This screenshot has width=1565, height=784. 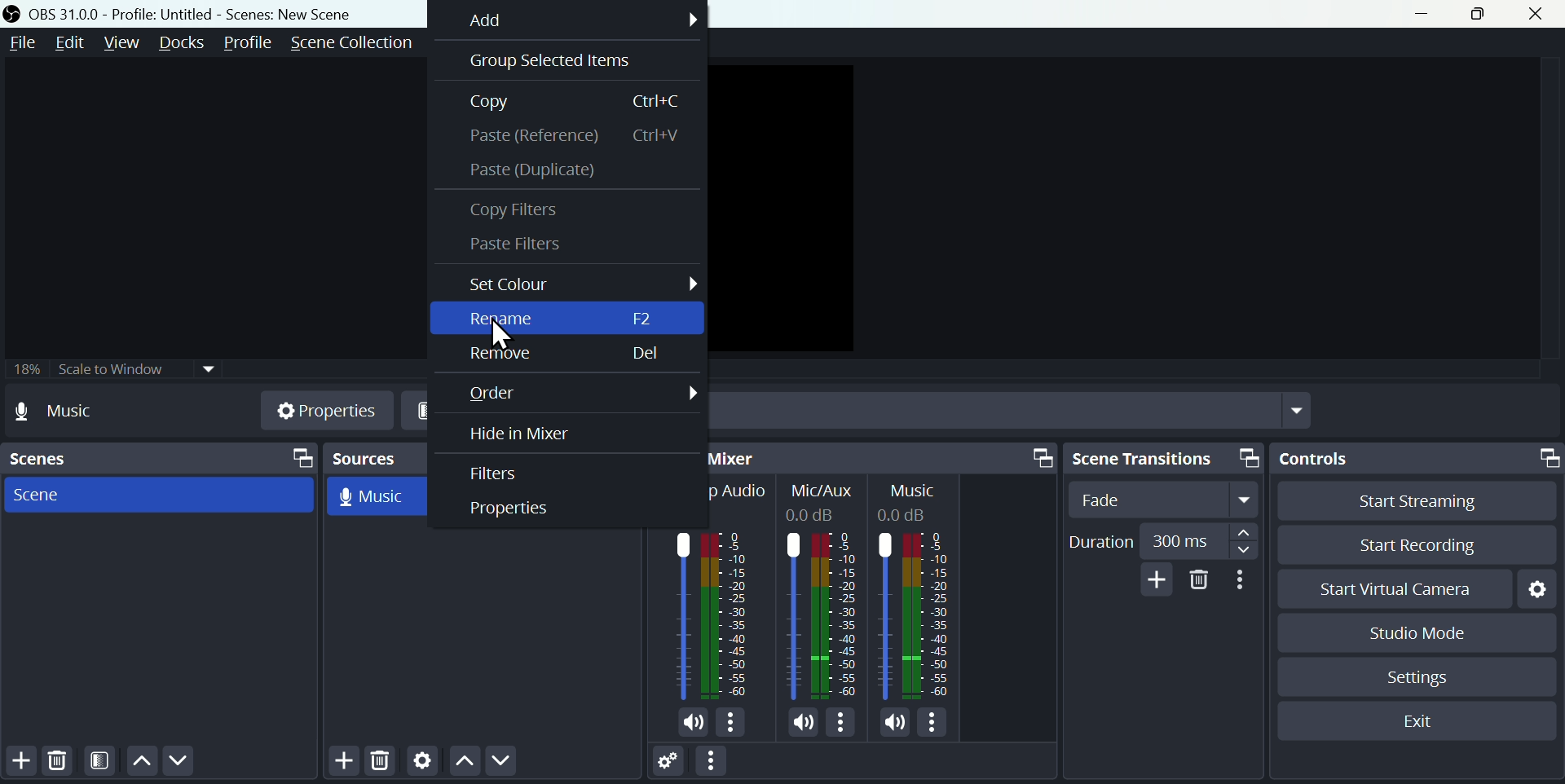 I want to click on Music, so click(x=379, y=495).